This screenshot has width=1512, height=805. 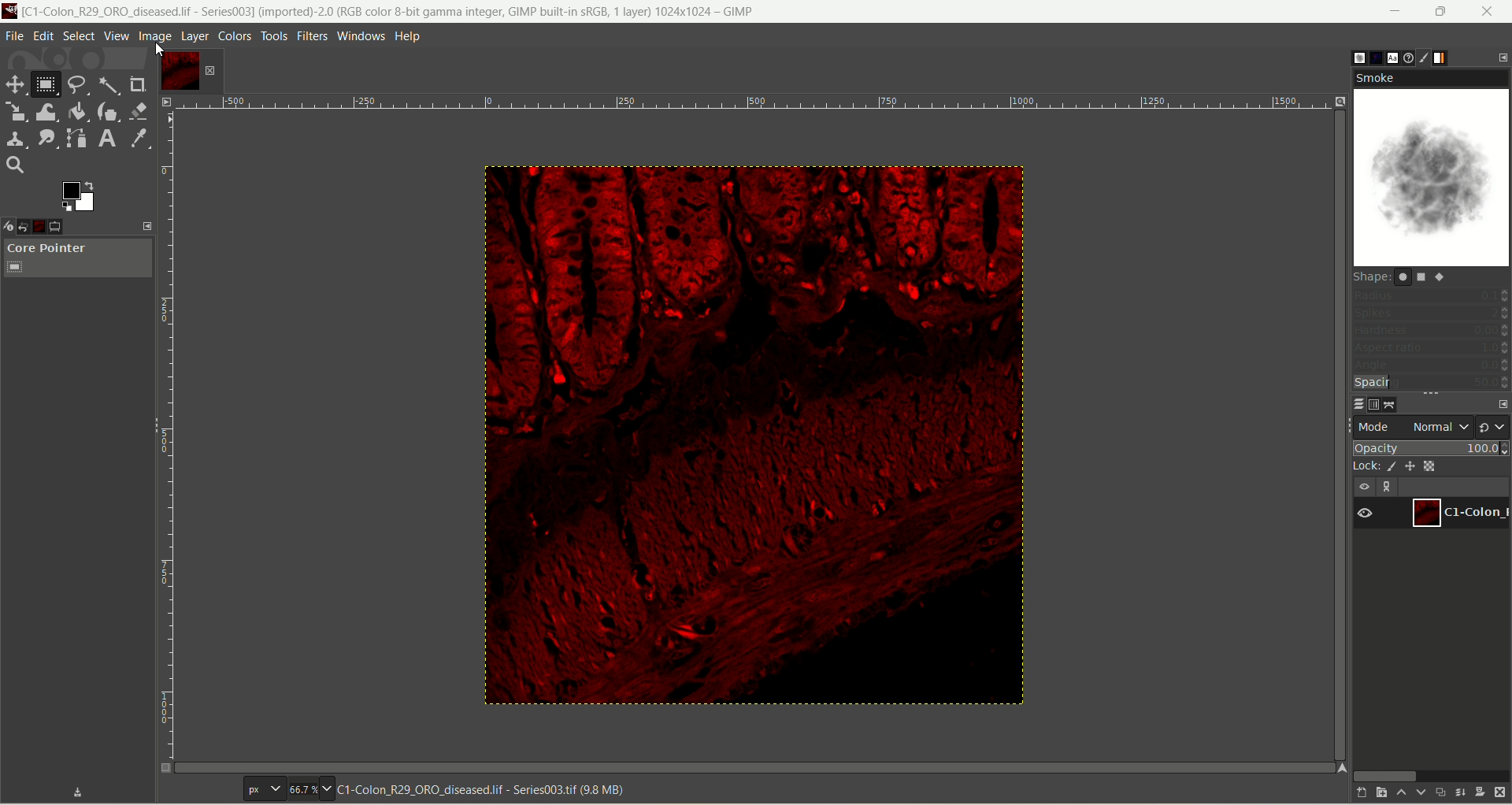 What do you see at coordinates (1368, 468) in the screenshot?
I see `lock` at bounding box center [1368, 468].